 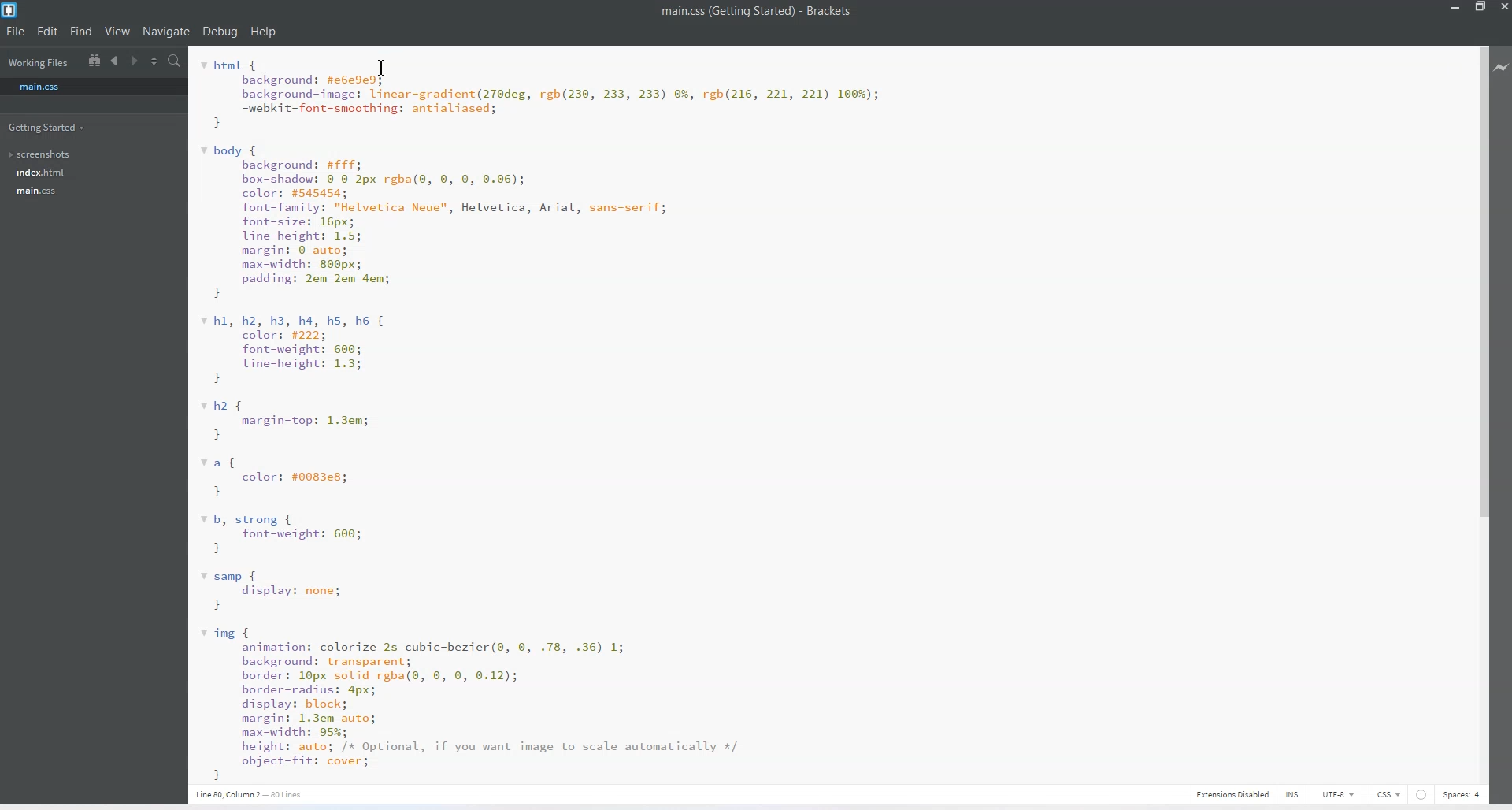 What do you see at coordinates (1388, 794) in the screenshot?
I see `CSS` at bounding box center [1388, 794].